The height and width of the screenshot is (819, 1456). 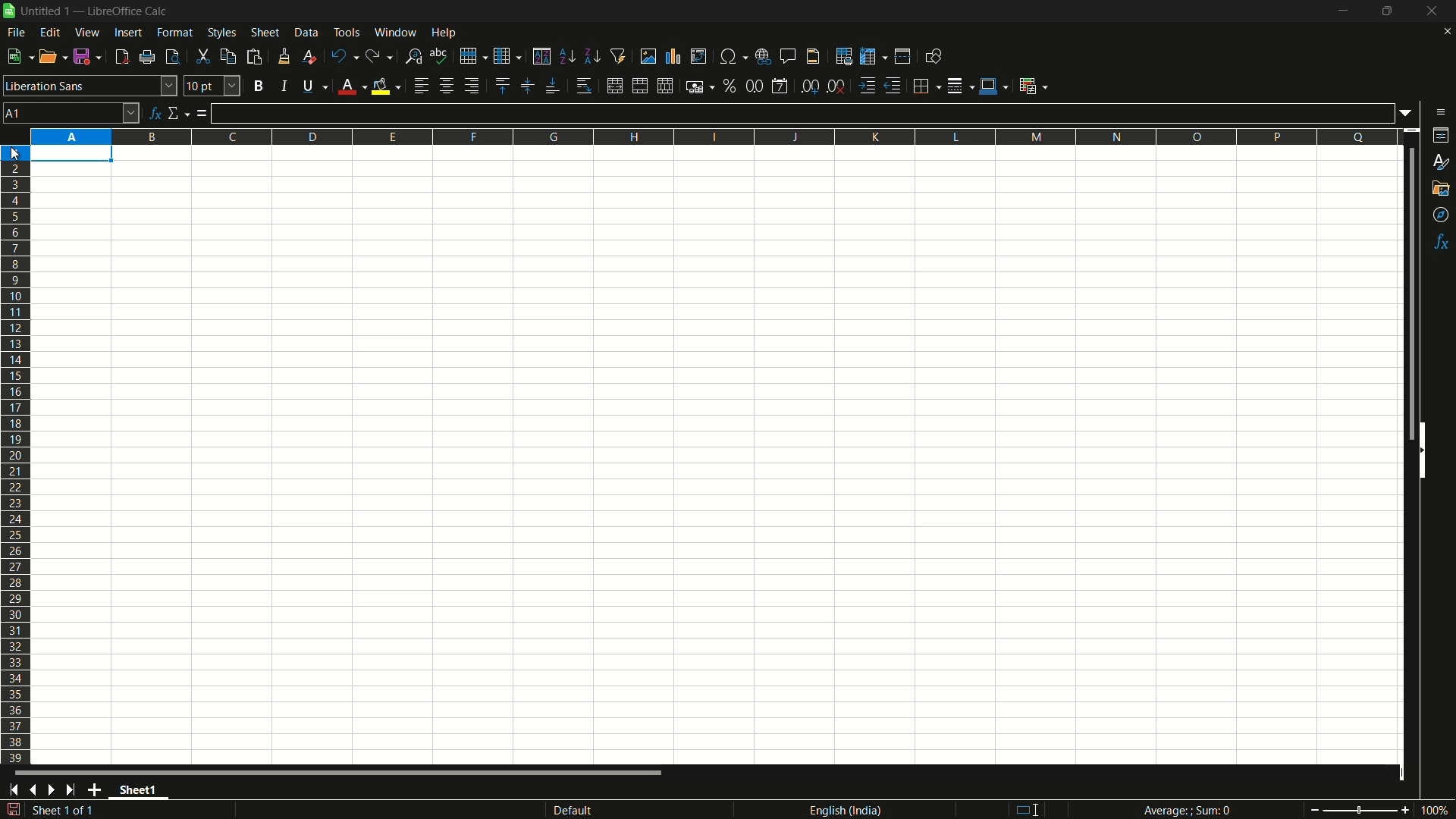 I want to click on italic, so click(x=283, y=86).